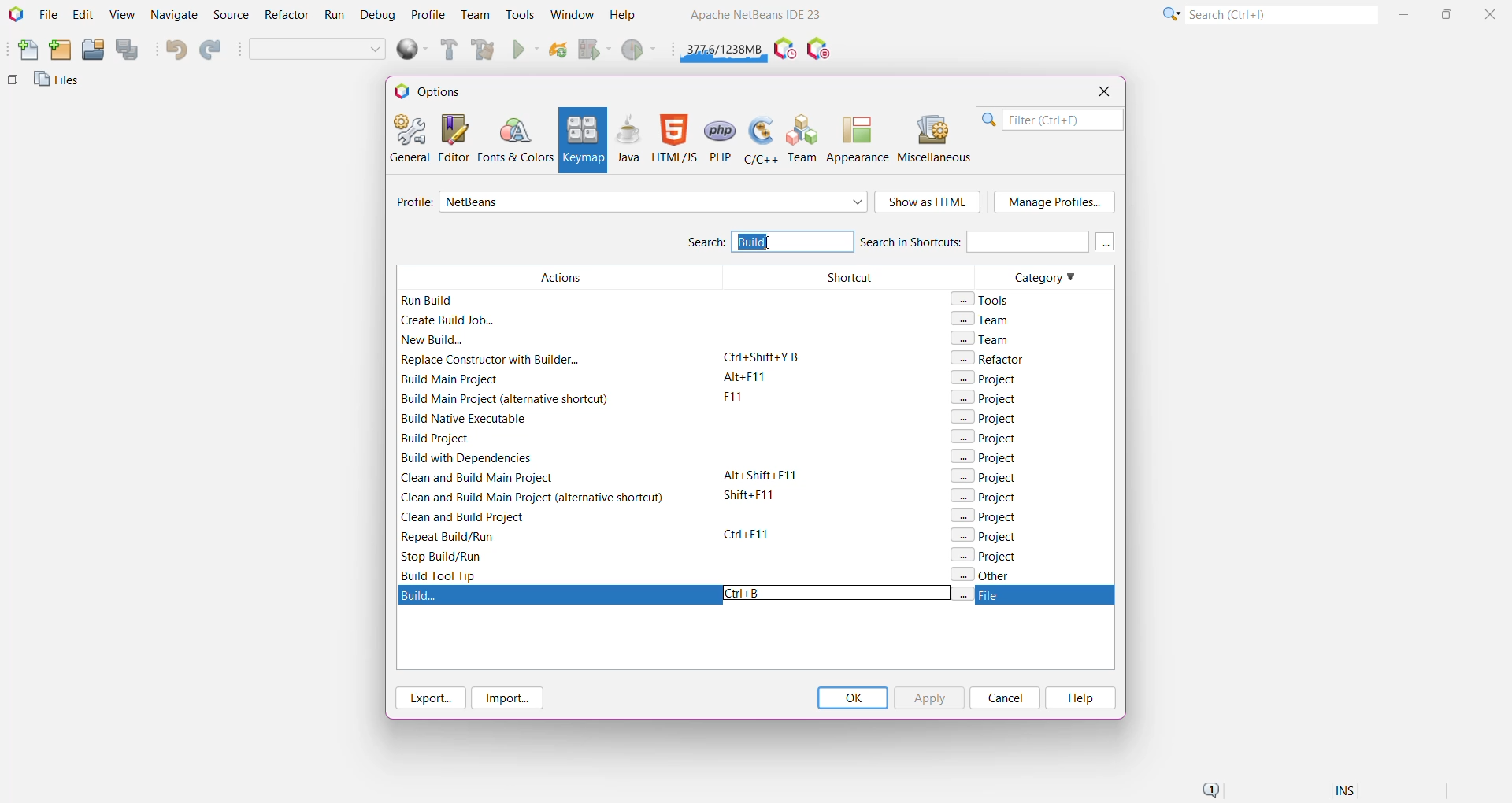 This screenshot has height=803, width=1512. I want to click on Build Main Project, so click(447, 50).